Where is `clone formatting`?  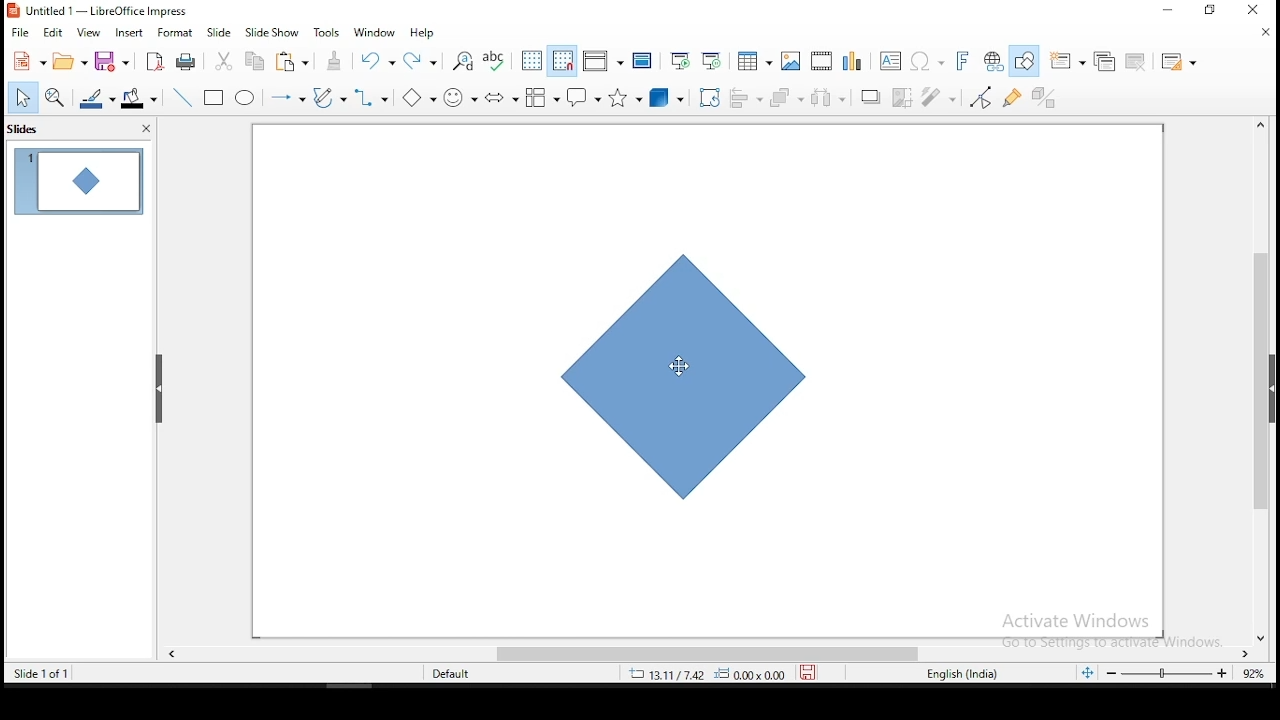
clone formatting is located at coordinates (339, 64).